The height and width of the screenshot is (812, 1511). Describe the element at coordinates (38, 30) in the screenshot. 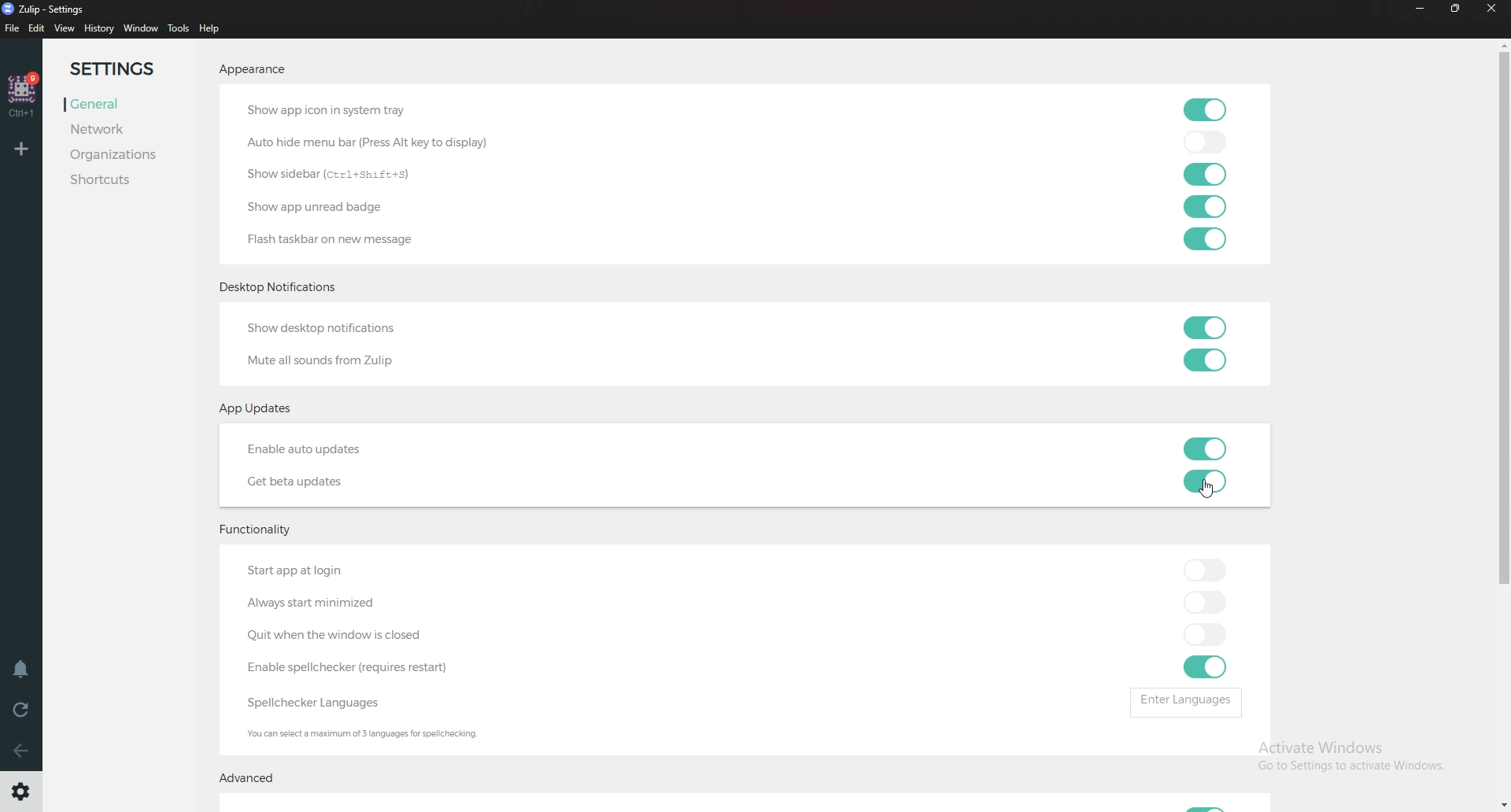

I see `Edit` at that location.